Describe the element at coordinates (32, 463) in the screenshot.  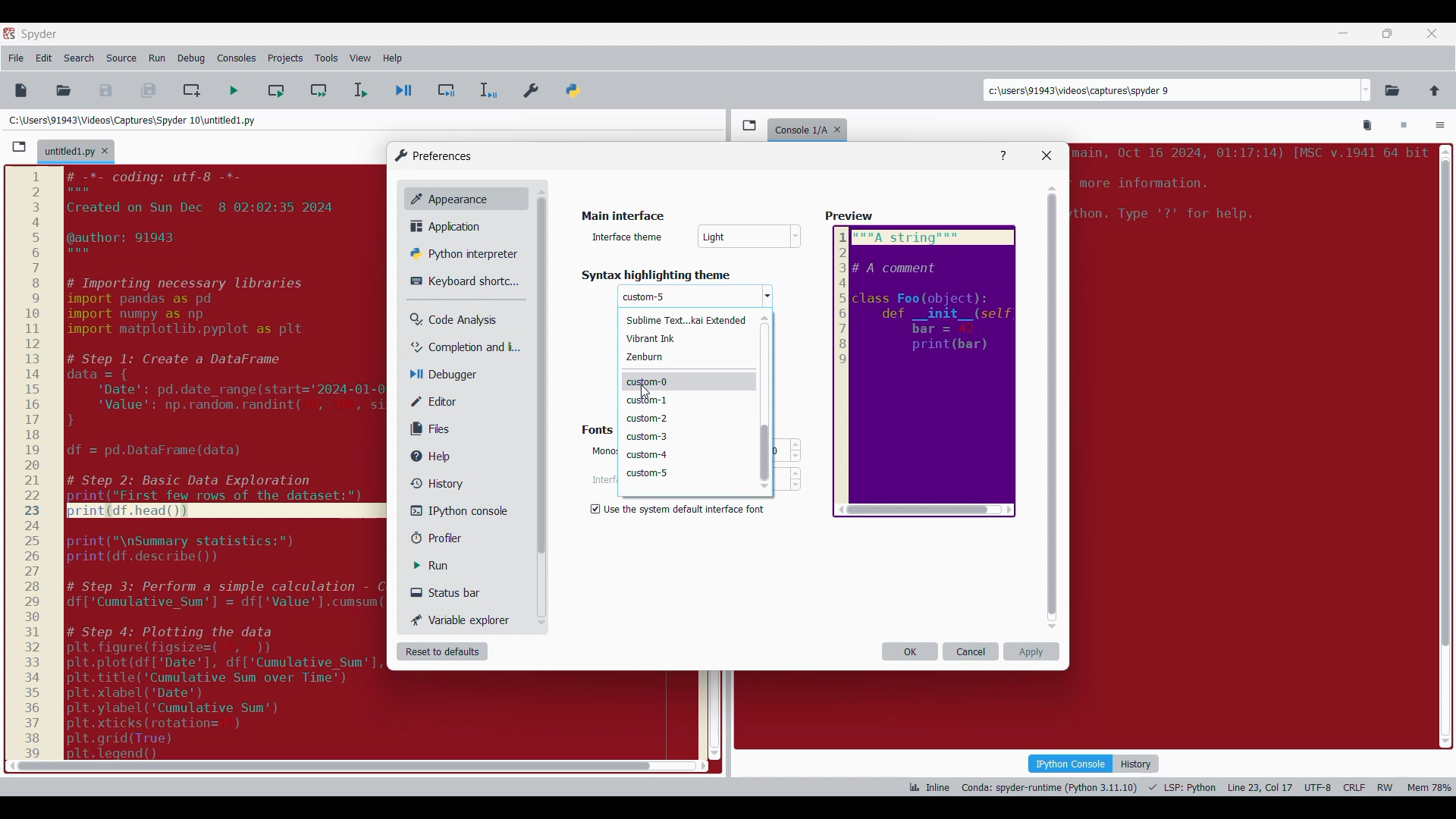
I see `scale` at that location.